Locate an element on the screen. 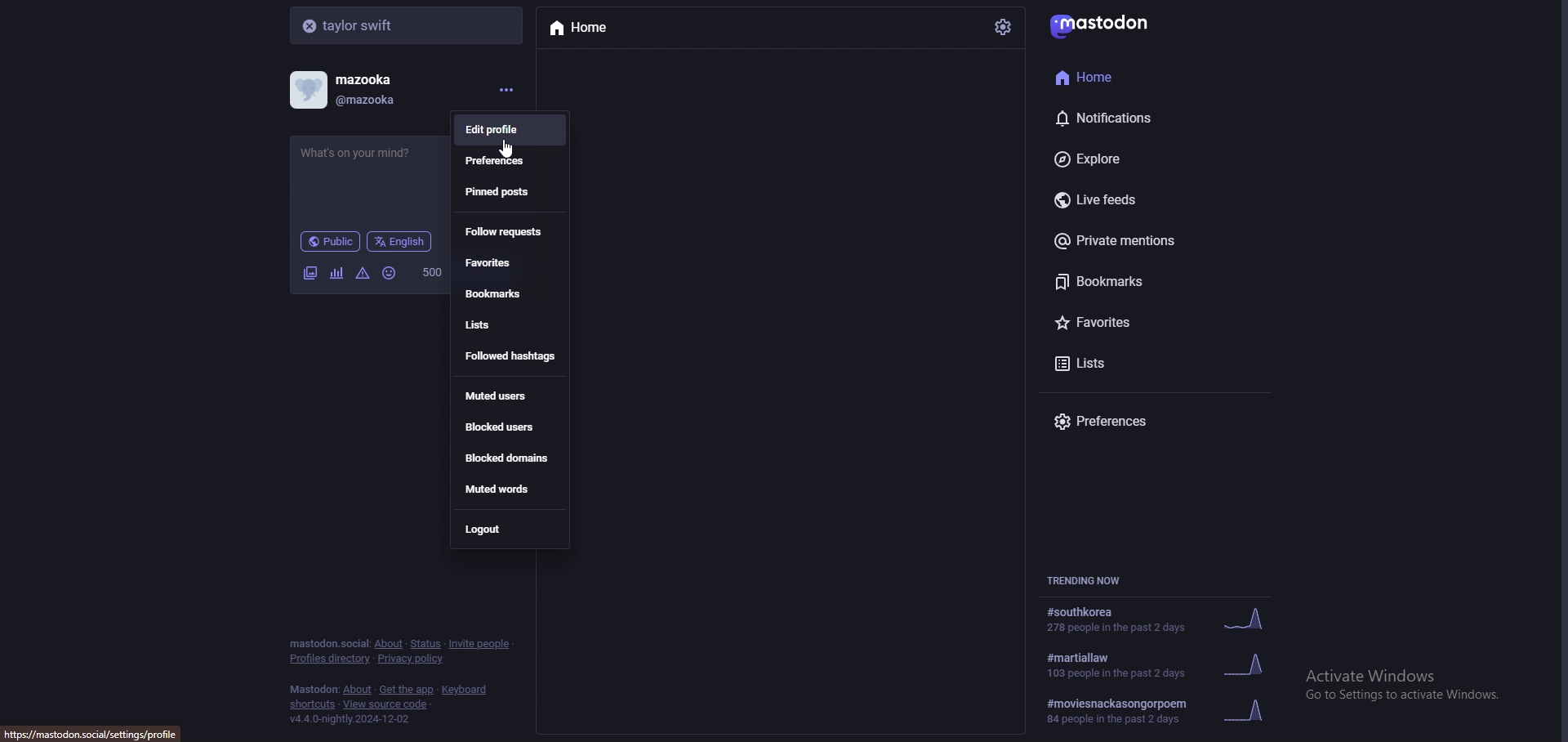 Image resolution: width=1568 pixels, height=742 pixels. logout is located at coordinates (510, 527).